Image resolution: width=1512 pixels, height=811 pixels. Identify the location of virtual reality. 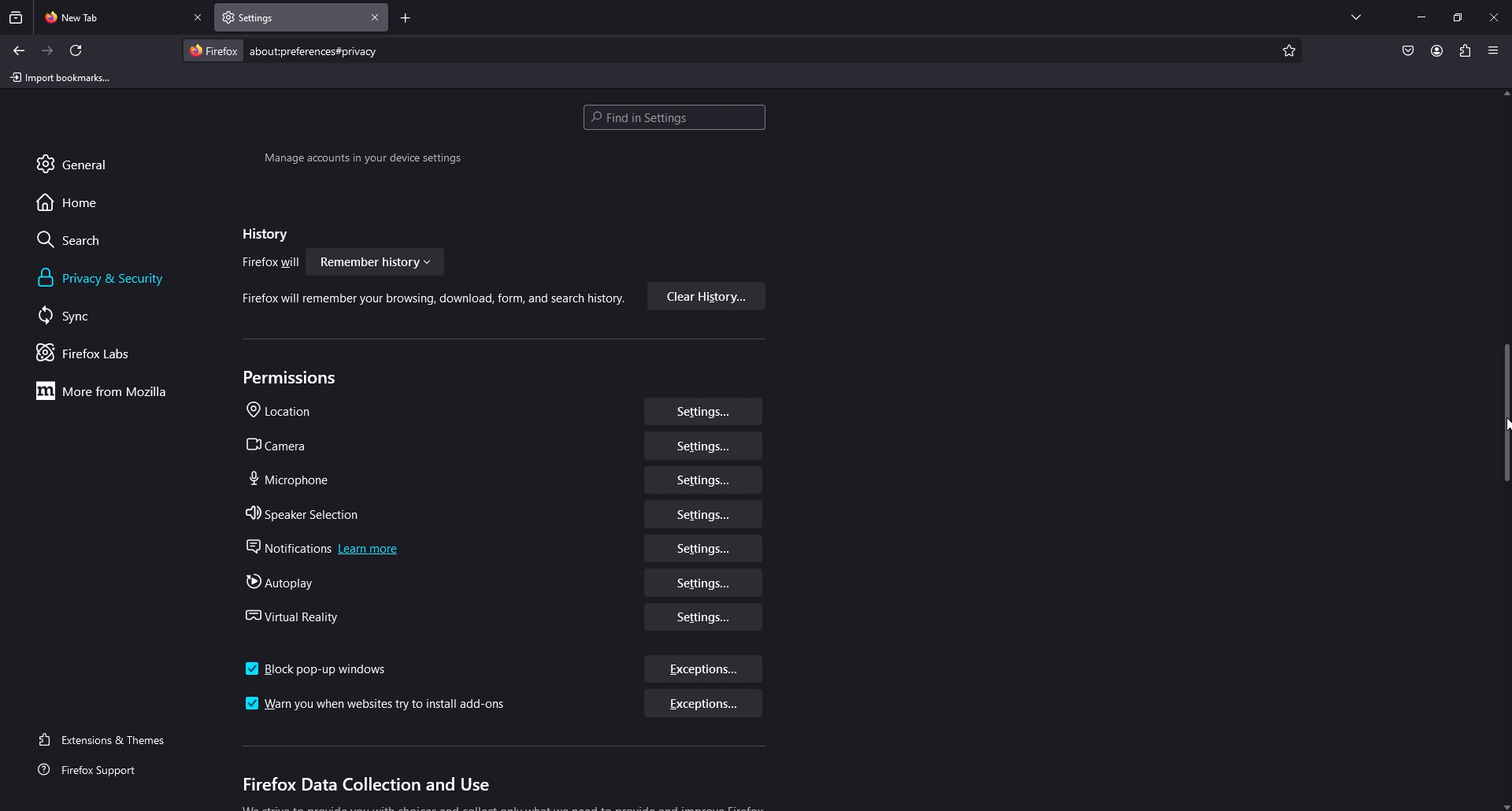
(300, 616).